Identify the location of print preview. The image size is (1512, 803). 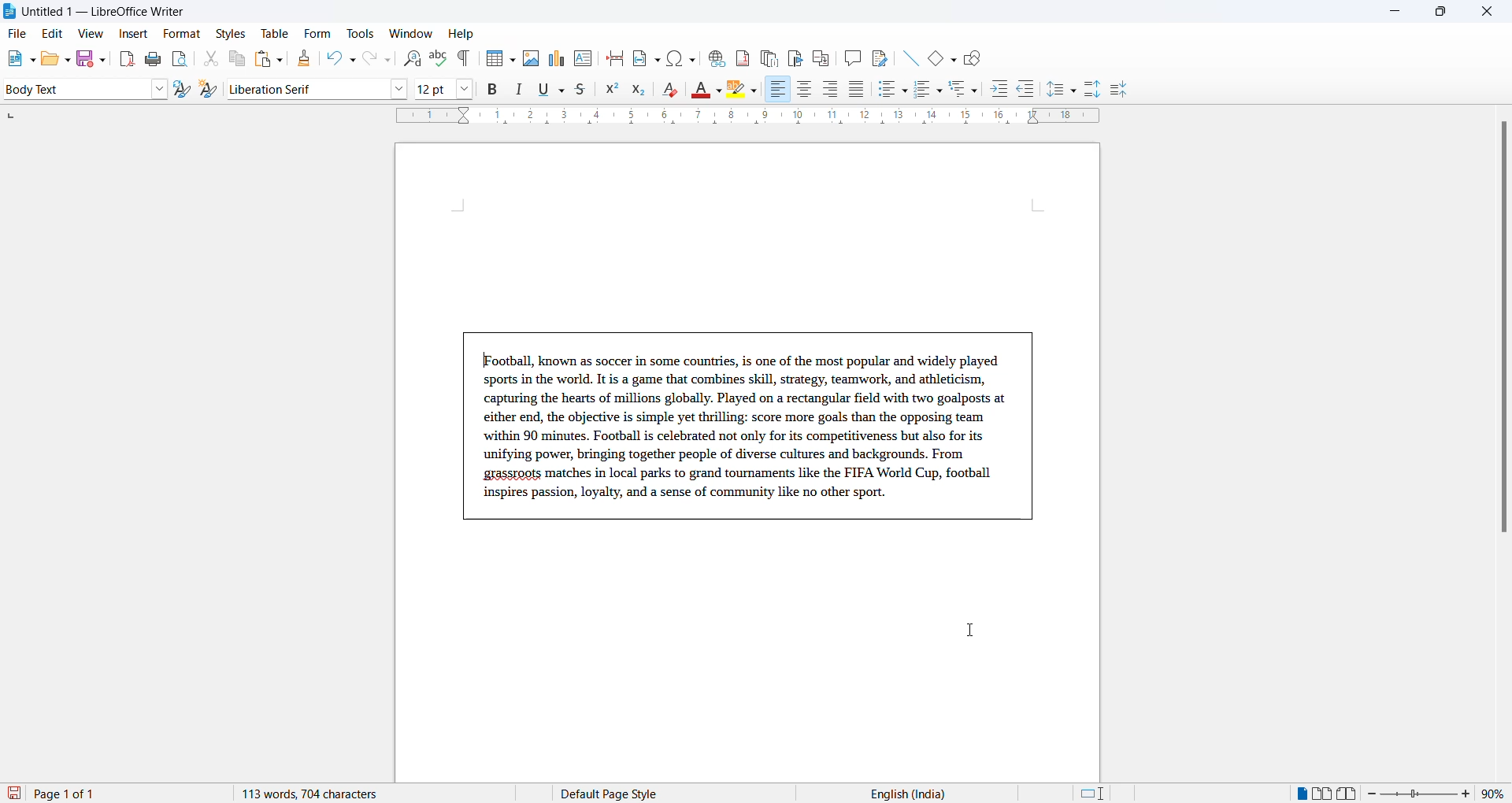
(180, 58).